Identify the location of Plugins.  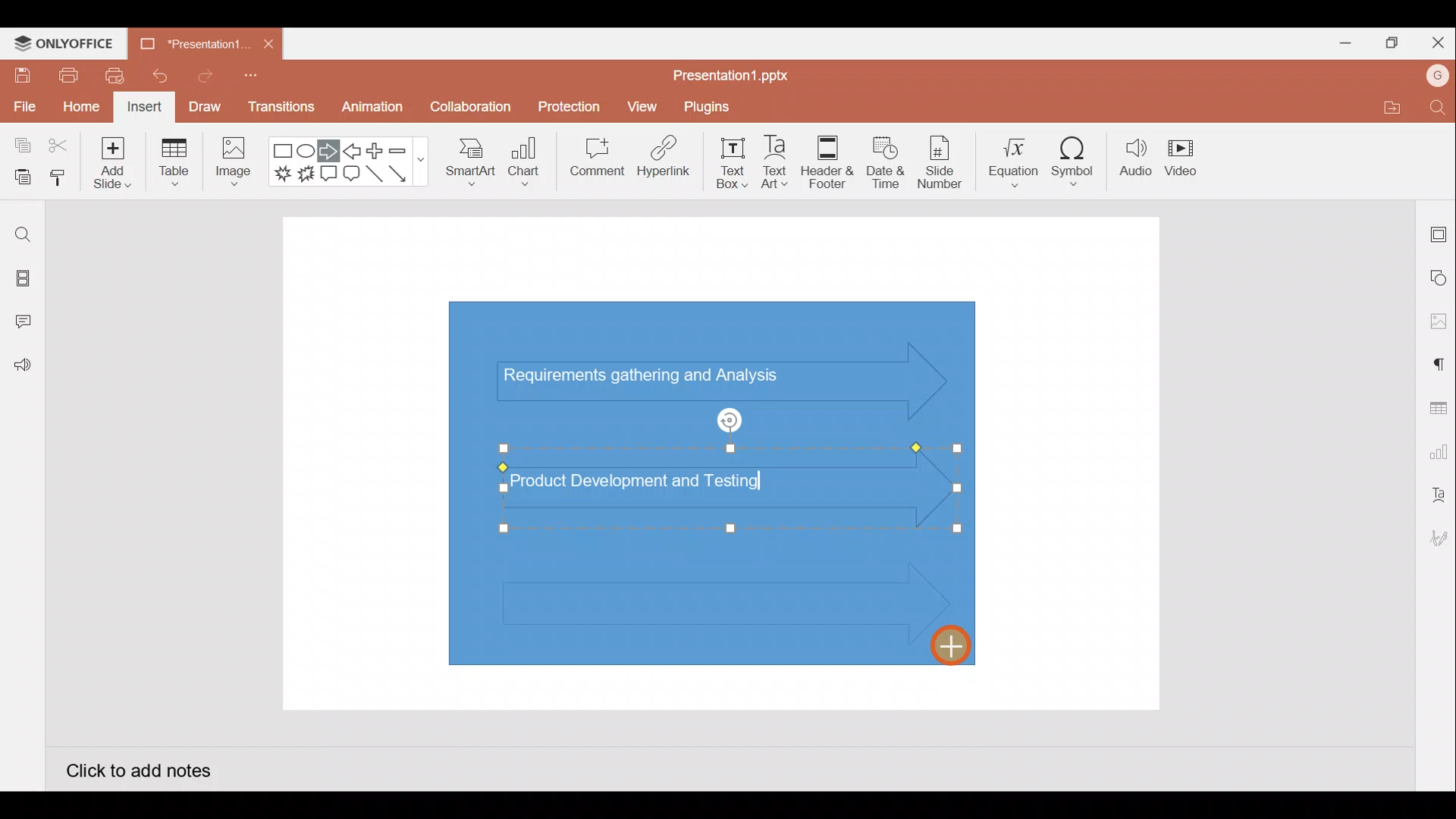
(717, 105).